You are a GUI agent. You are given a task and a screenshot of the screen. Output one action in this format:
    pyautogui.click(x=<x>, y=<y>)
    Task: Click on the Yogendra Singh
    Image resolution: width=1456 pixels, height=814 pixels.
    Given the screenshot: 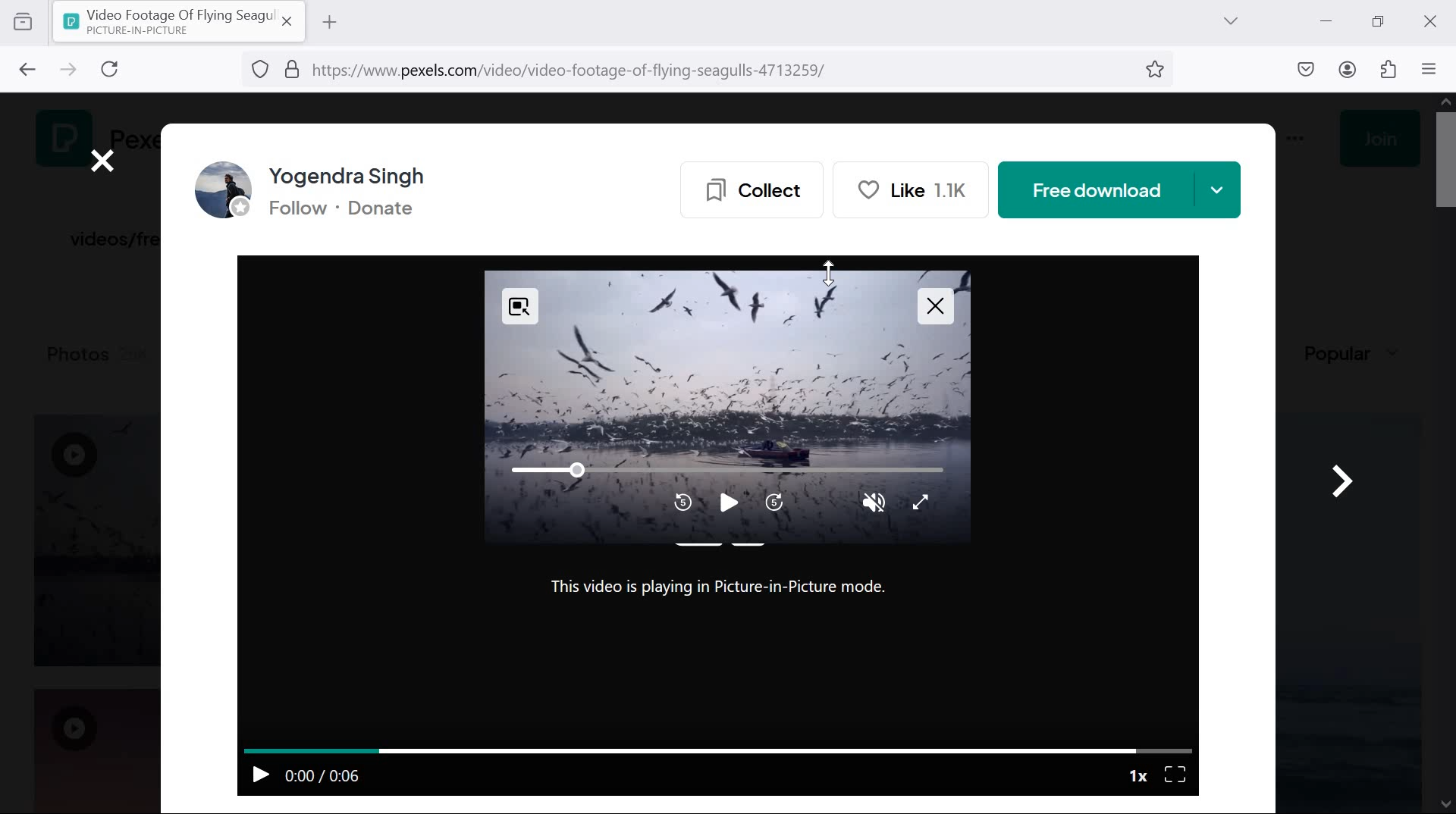 What is the action you would take?
    pyautogui.click(x=358, y=175)
    